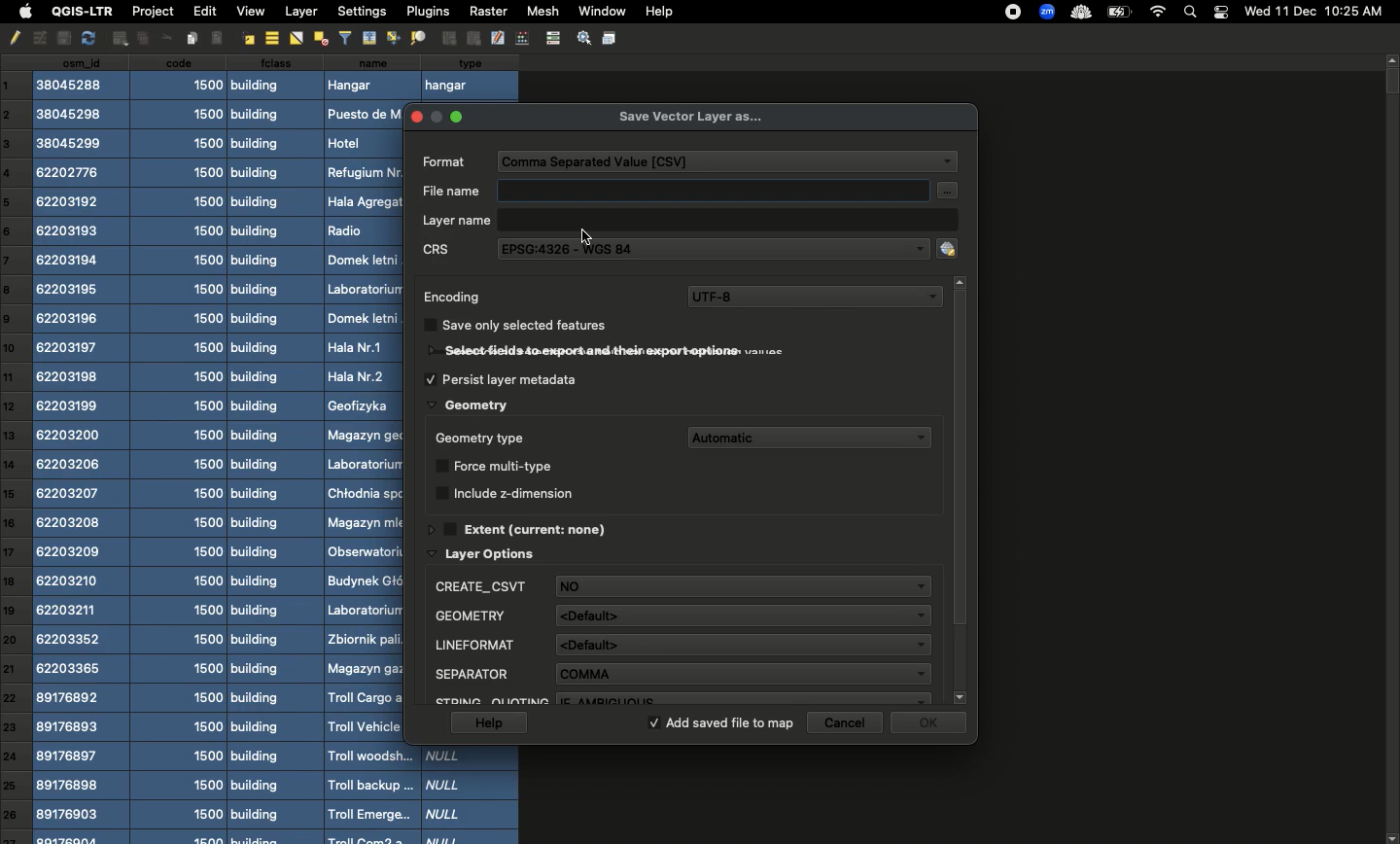 Image resolution: width=1400 pixels, height=844 pixels. What do you see at coordinates (682, 696) in the screenshot?
I see `Spatial index` at bounding box center [682, 696].